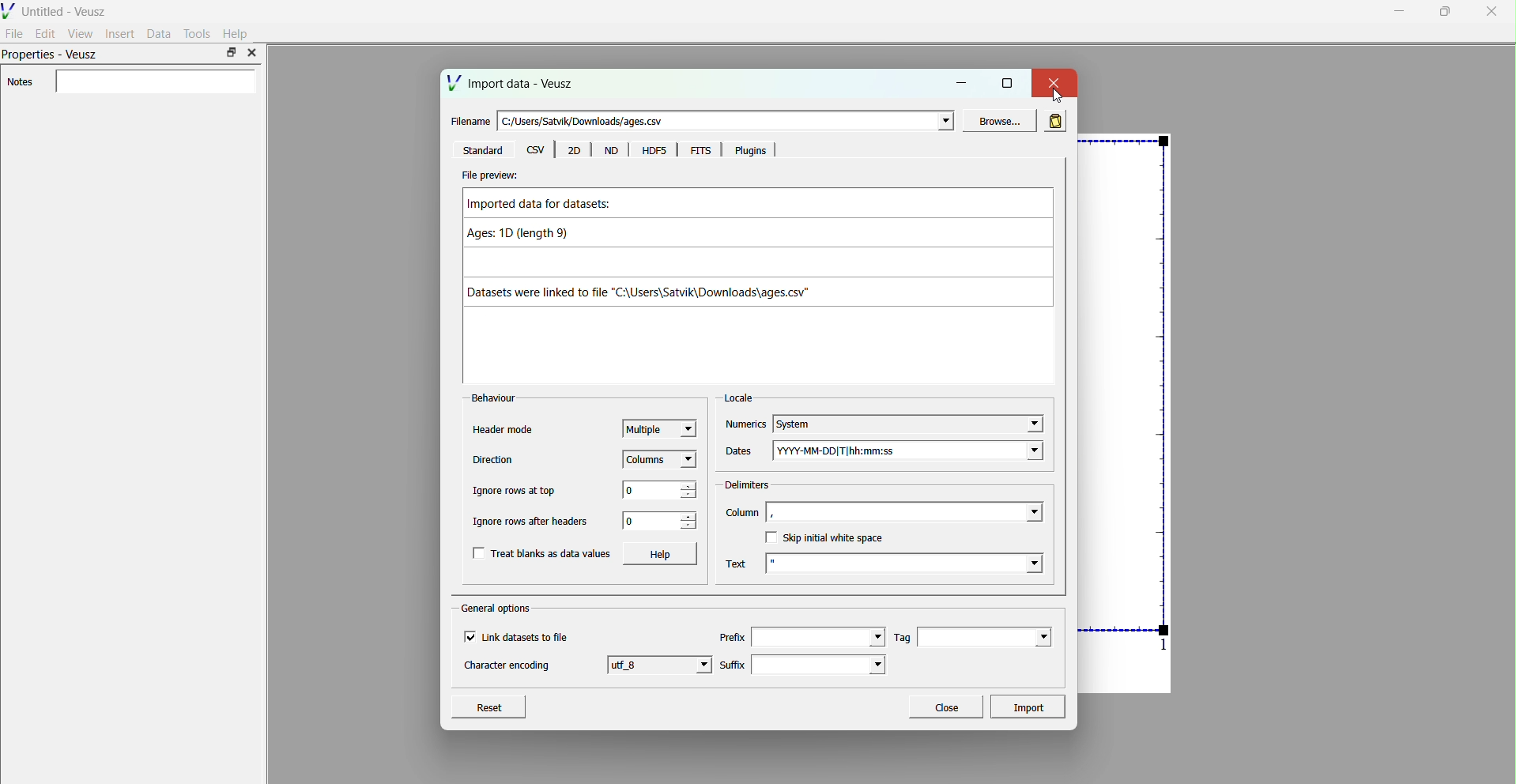  Describe the element at coordinates (910, 449) in the screenshot. I see `YYYY-MM-DD|T|hh:mm:ss` at that location.